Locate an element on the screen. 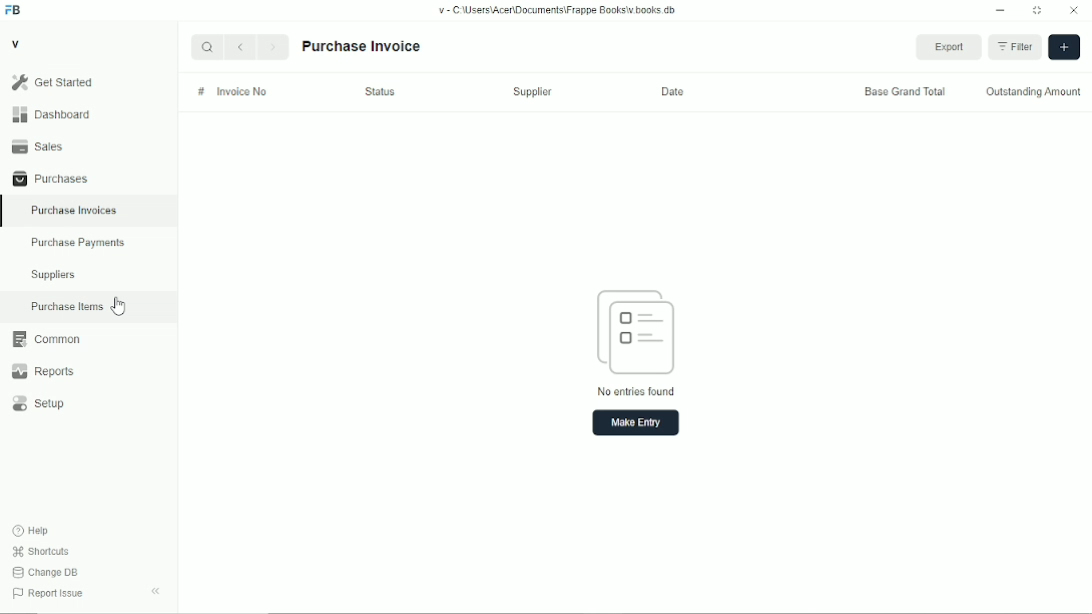 The width and height of the screenshot is (1092, 614). v-C:\Users\Acer\Documents\Frappe books\v.books.db is located at coordinates (558, 10).